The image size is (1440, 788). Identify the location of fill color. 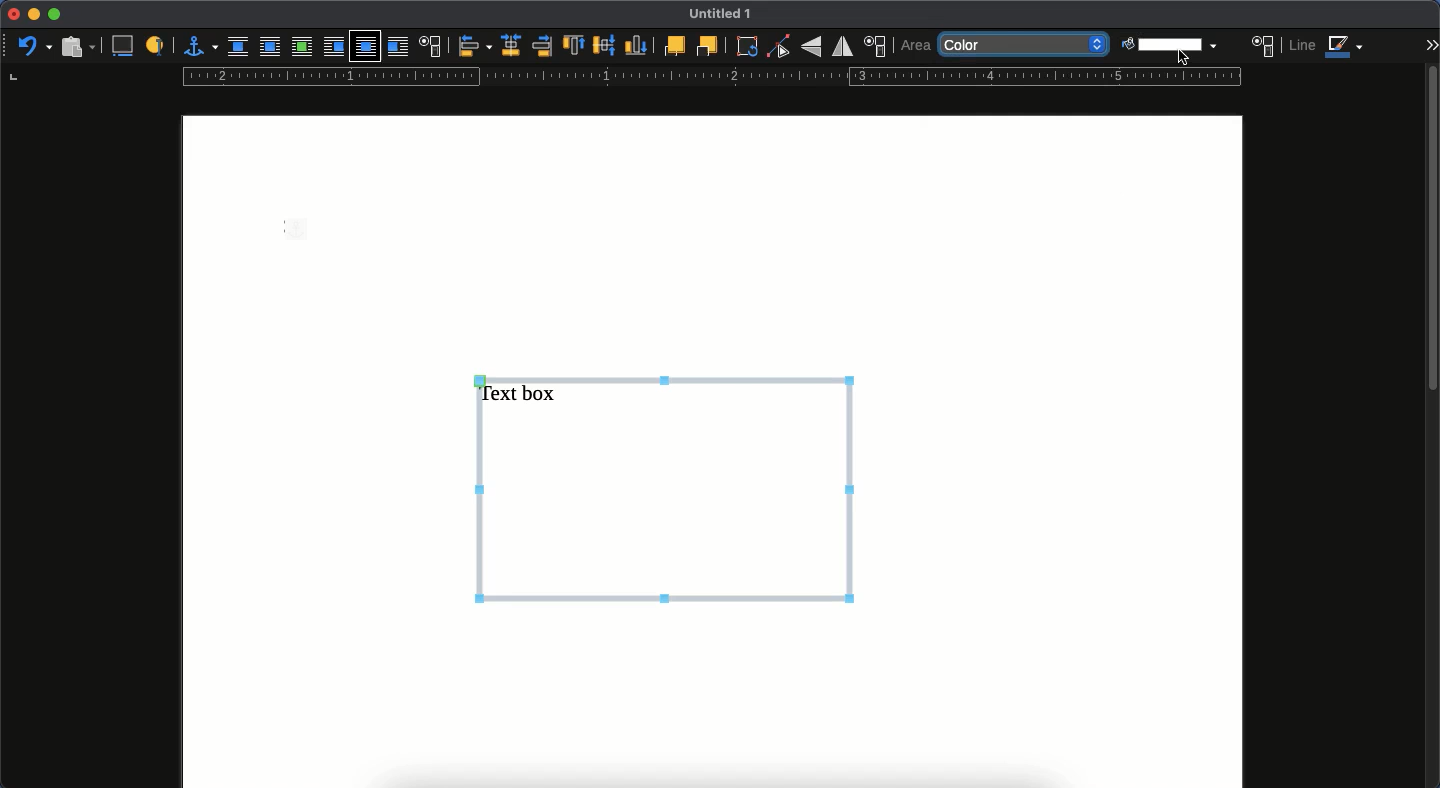
(1164, 40).